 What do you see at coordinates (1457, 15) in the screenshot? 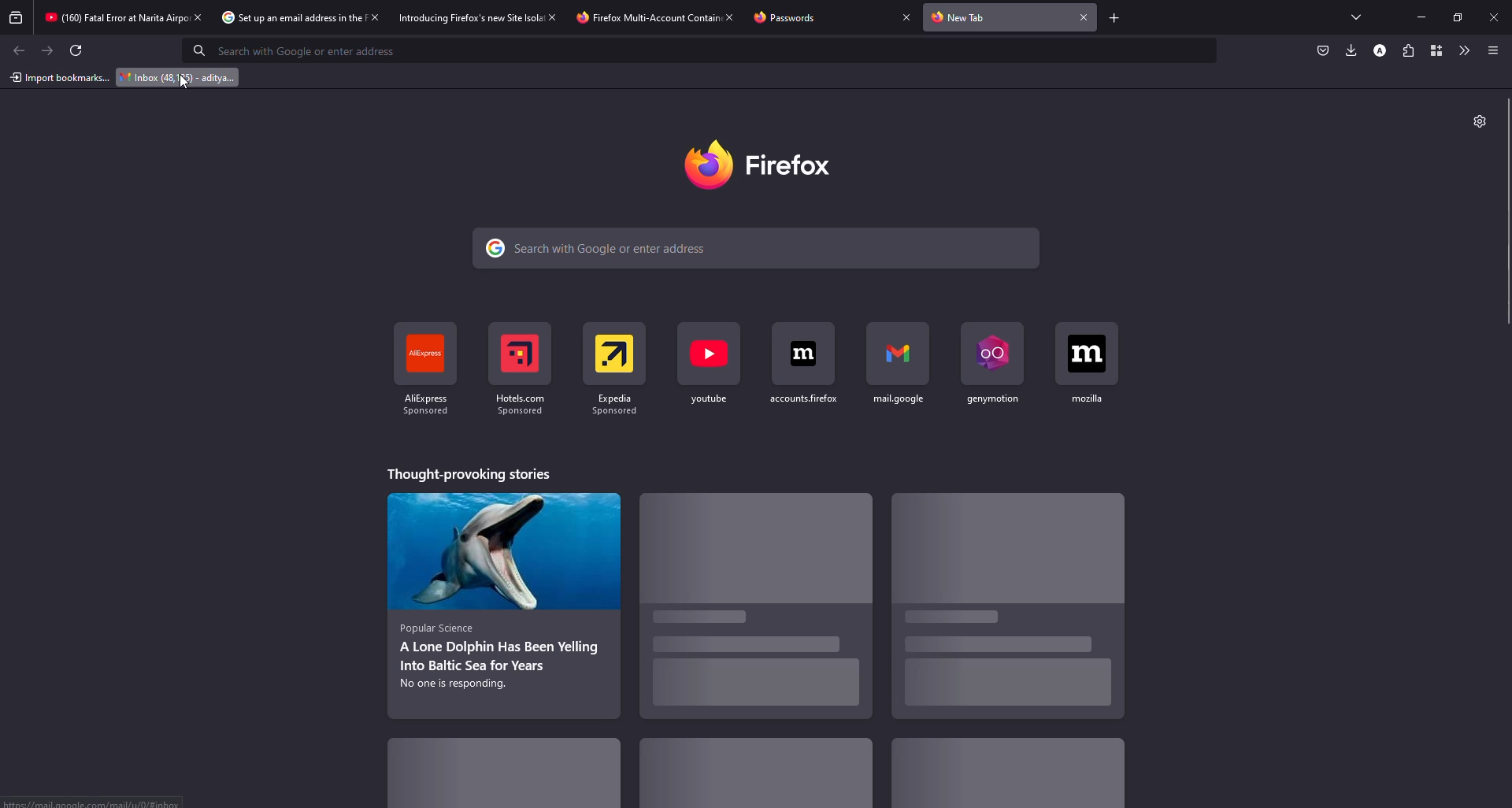
I see `maximize` at bounding box center [1457, 15].